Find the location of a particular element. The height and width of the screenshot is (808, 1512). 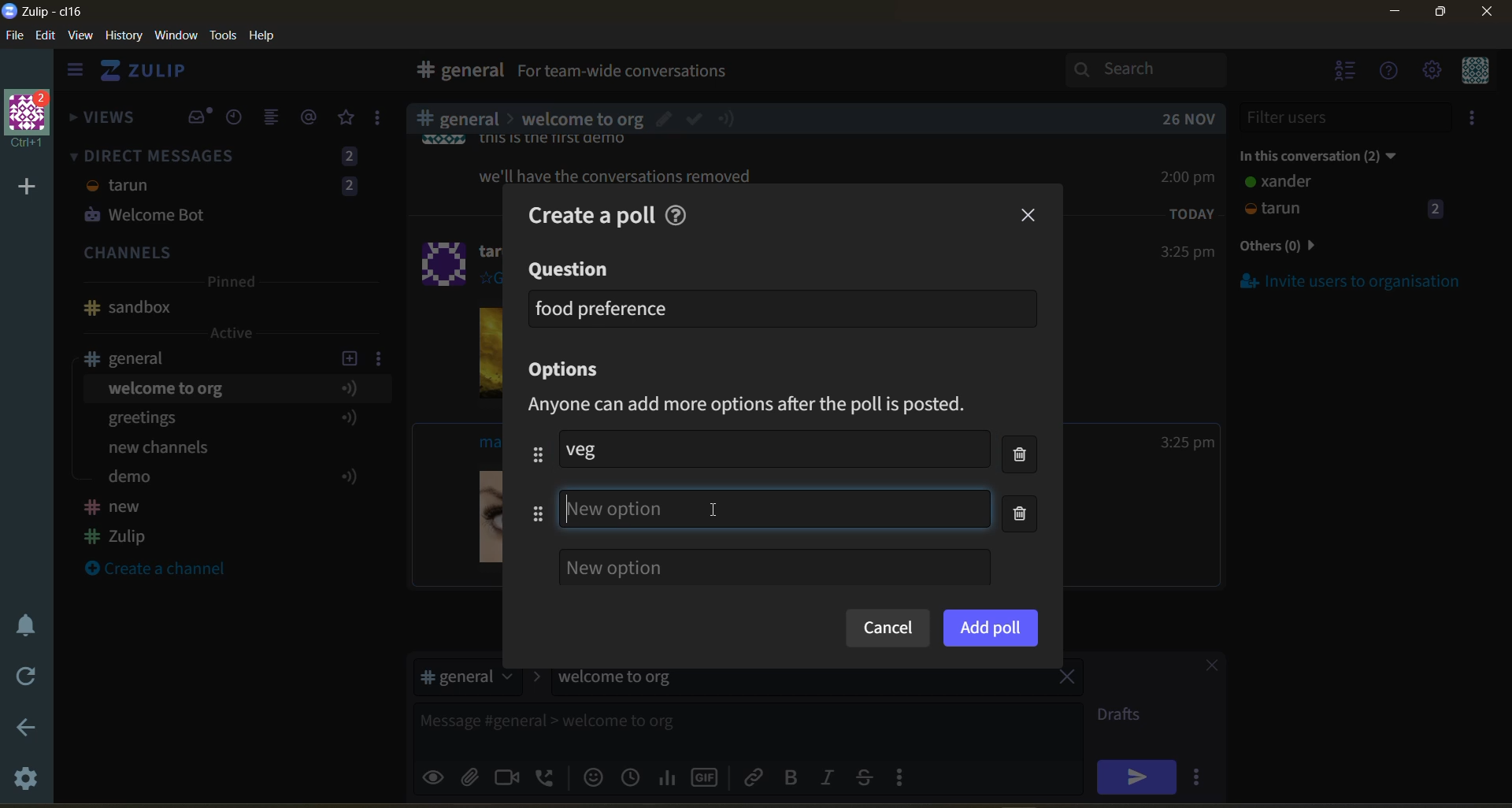

tools is located at coordinates (226, 34).